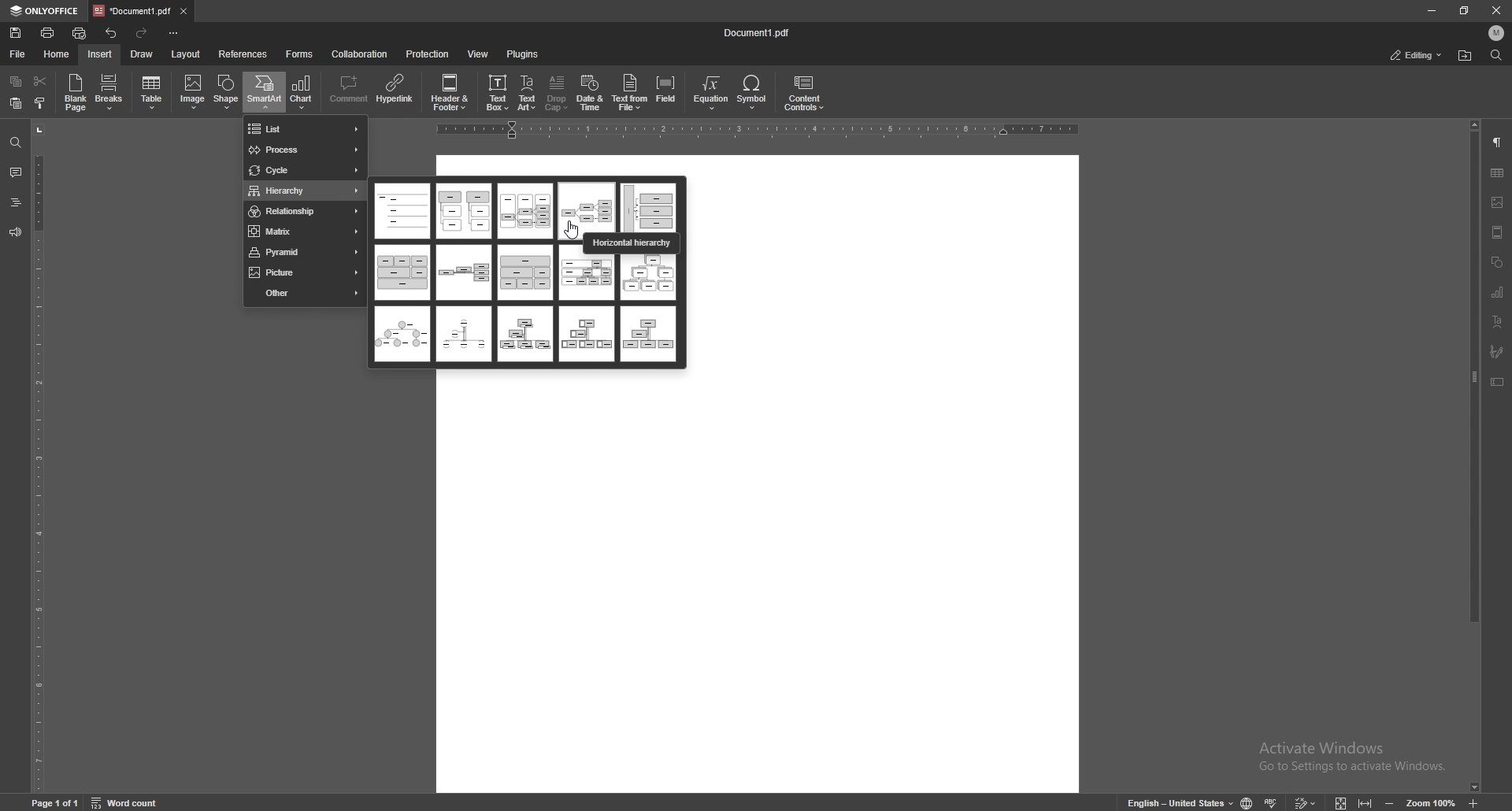 This screenshot has height=811, width=1512. Describe the element at coordinates (1388, 802) in the screenshot. I see `zoom out` at that location.